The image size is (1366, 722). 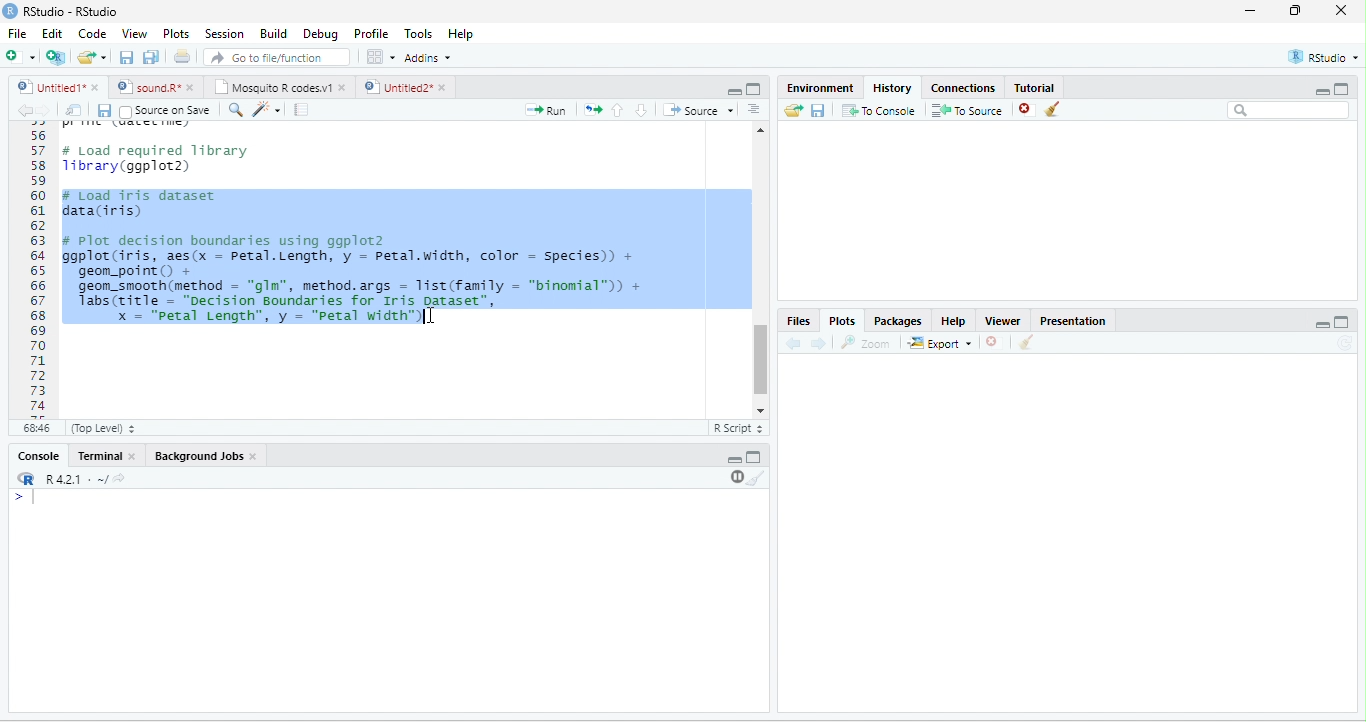 I want to click on compile report, so click(x=301, y=109).